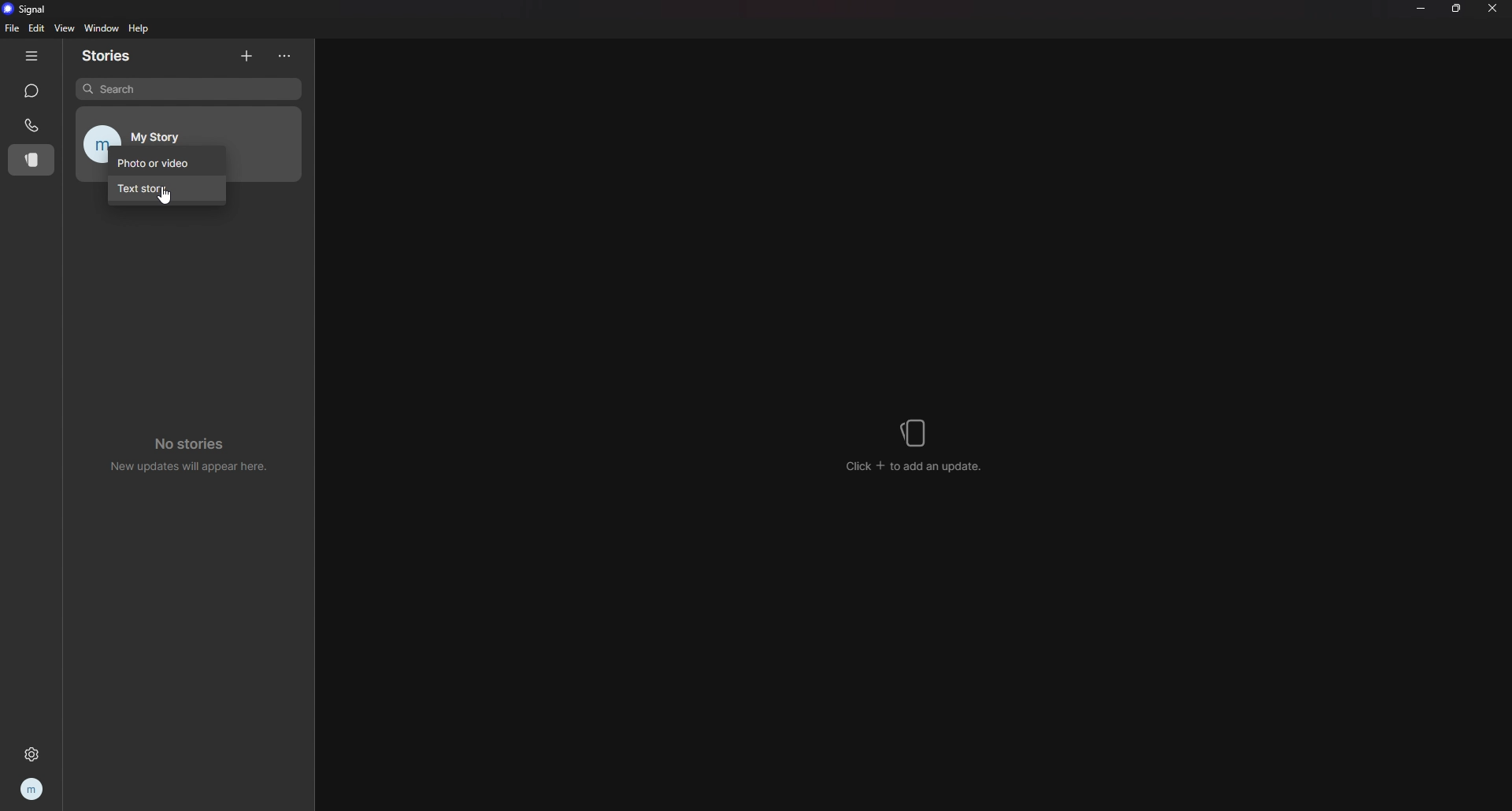  I want to click on story, so click(29, 161).